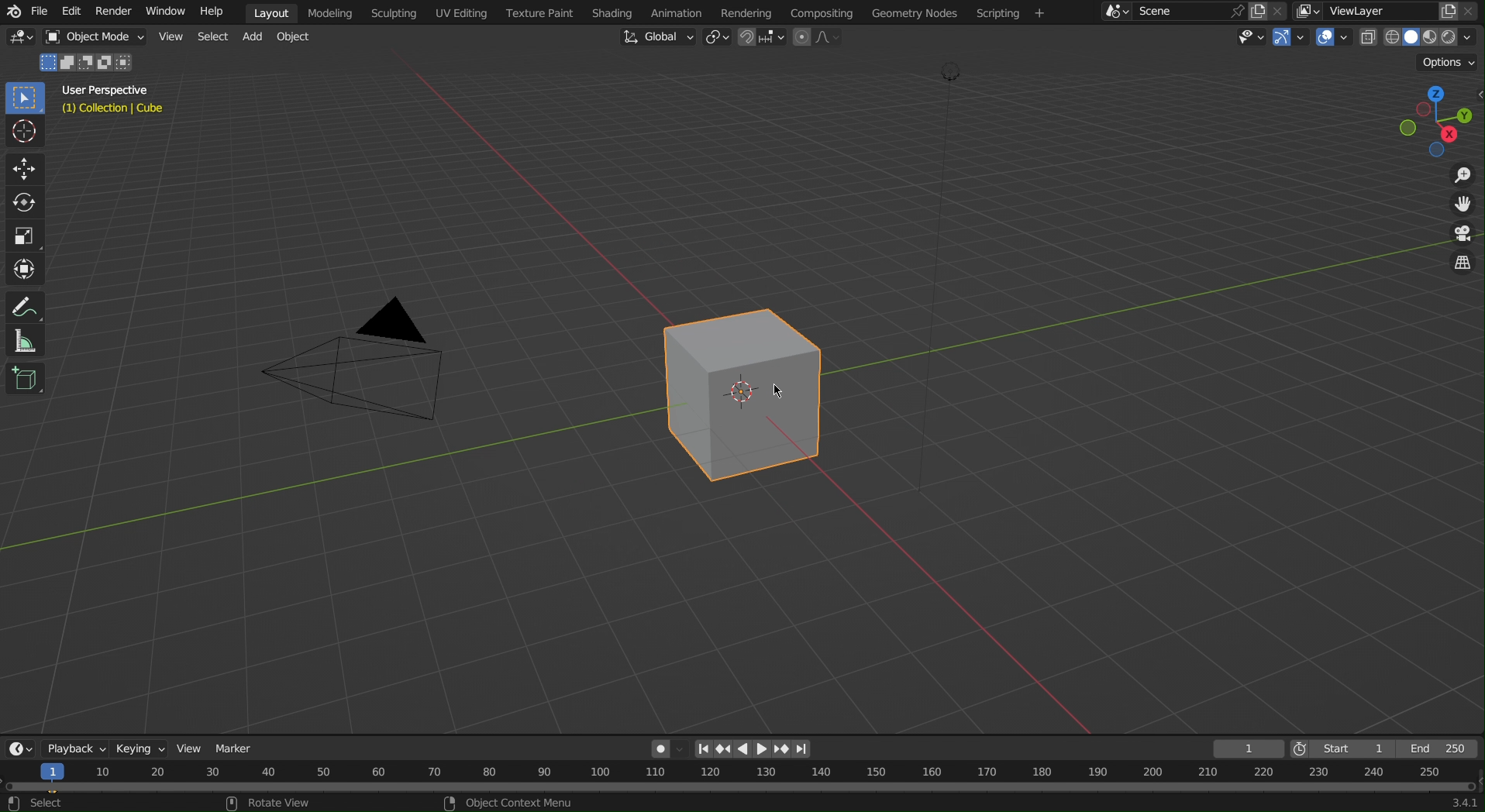 The height and width of the screenshot is (812, 1485). What do you see at coordinates (1177, 12) in the screenshot?
I see `Scene` at bounding box center [1177, 12].